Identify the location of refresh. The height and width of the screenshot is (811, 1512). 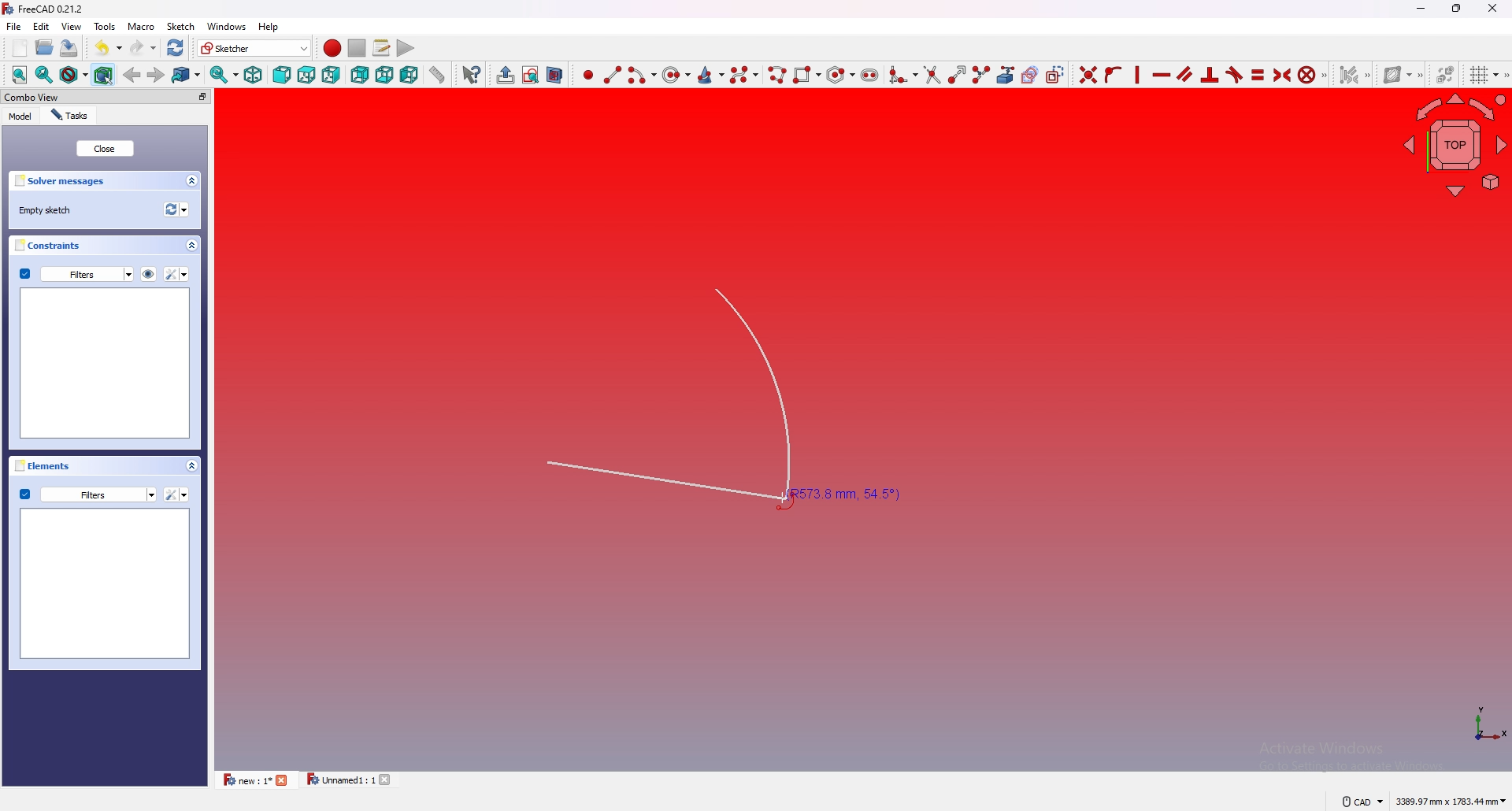
(176, 48).